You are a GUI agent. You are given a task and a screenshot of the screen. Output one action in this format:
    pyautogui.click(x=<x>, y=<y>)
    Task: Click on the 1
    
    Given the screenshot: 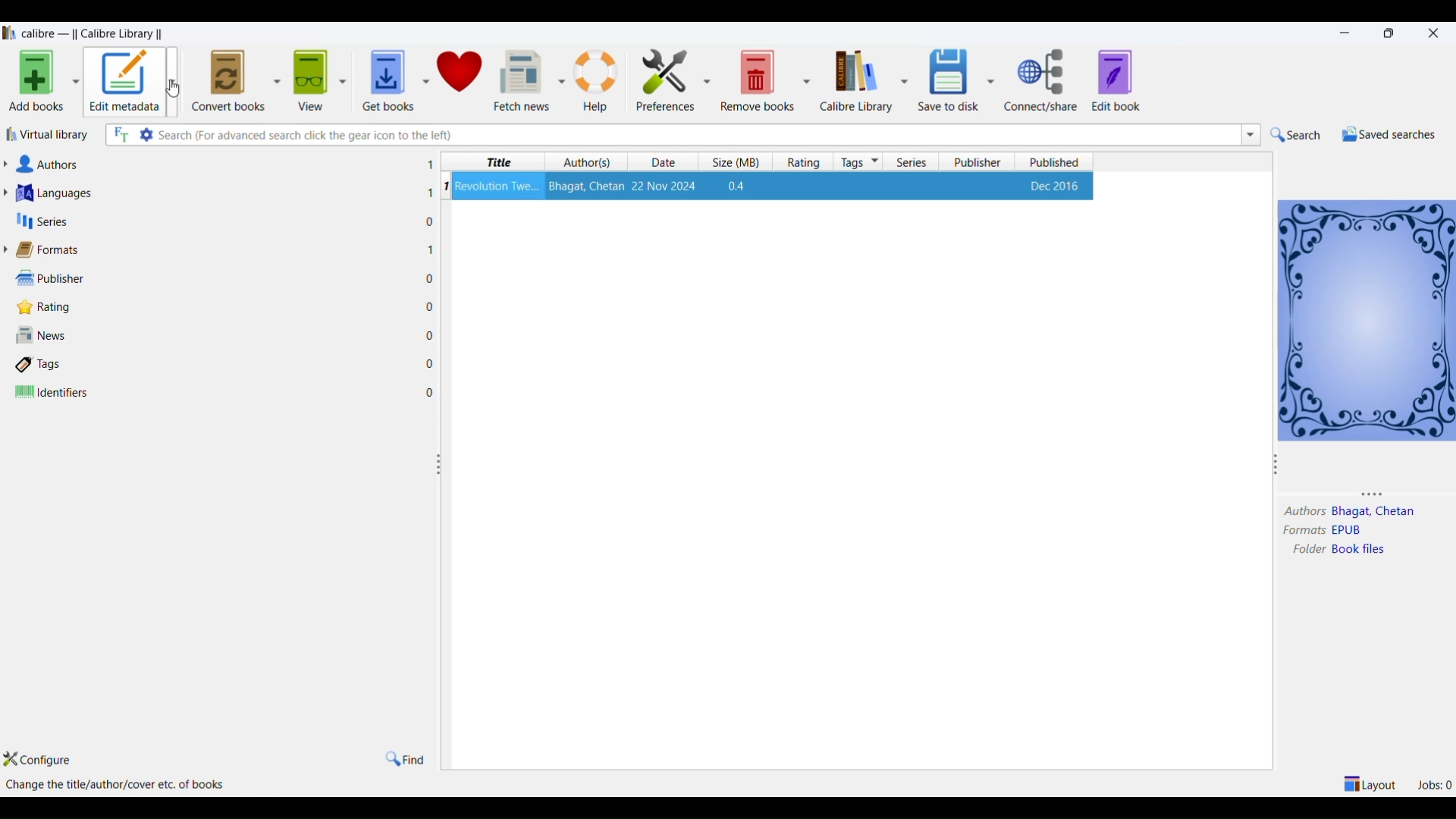 What is the action you would take?
    pyautogui.click(x=445, y=186)
    